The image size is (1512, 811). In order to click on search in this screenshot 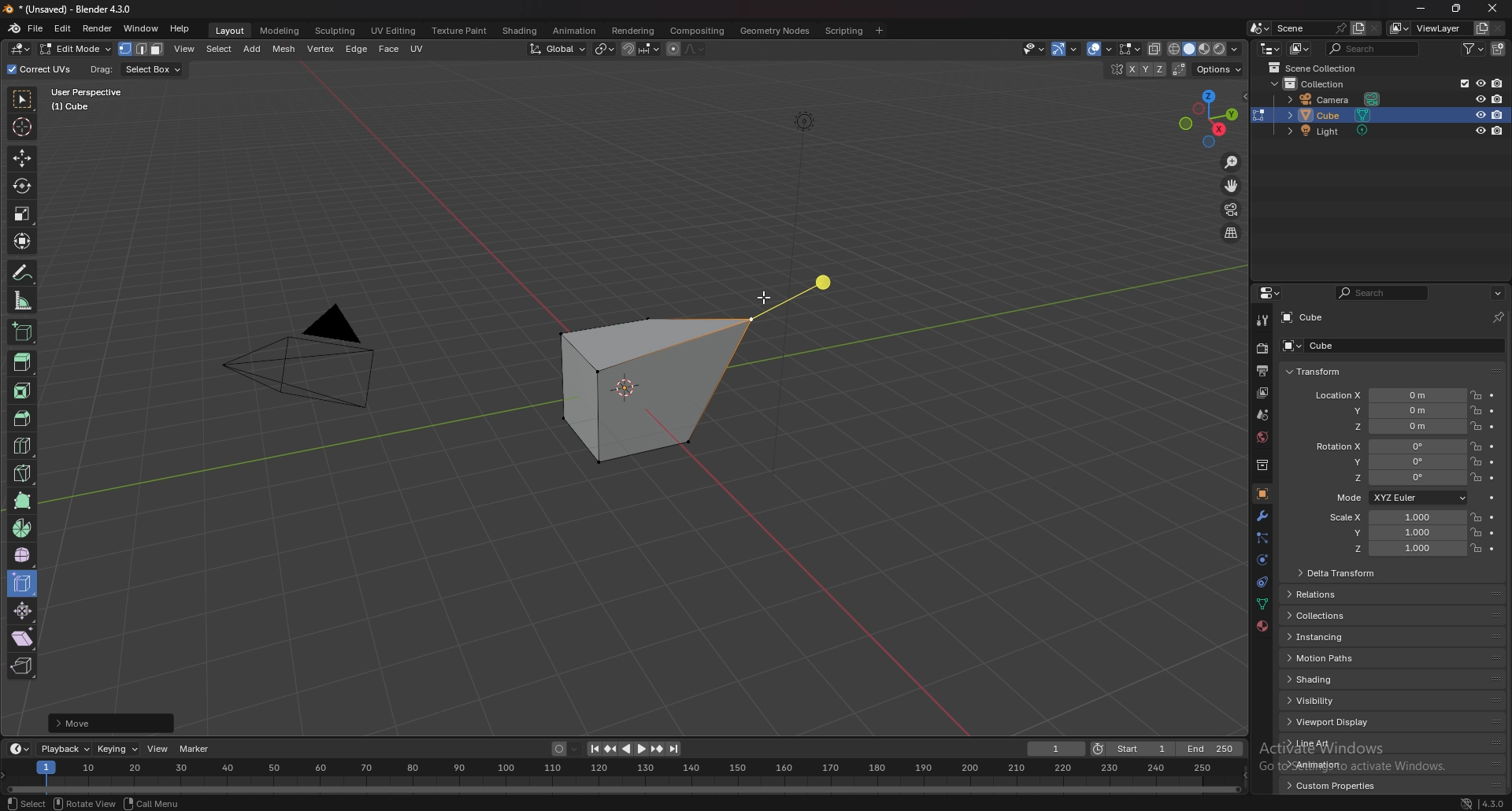, I will do `click(1384, 293)`.